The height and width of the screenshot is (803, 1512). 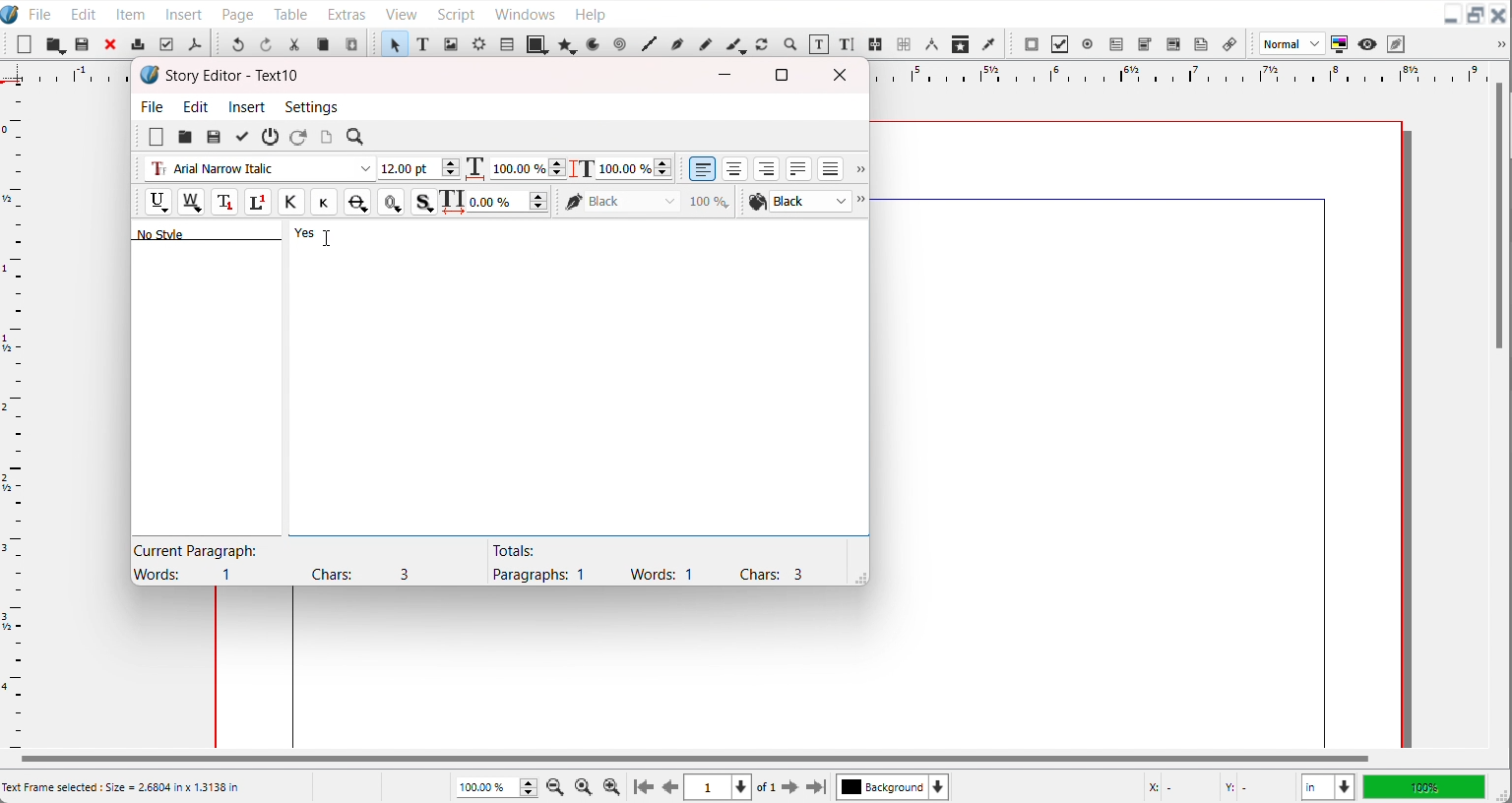 I want to click on PDF Check Button, so click(x=1059, y=44).